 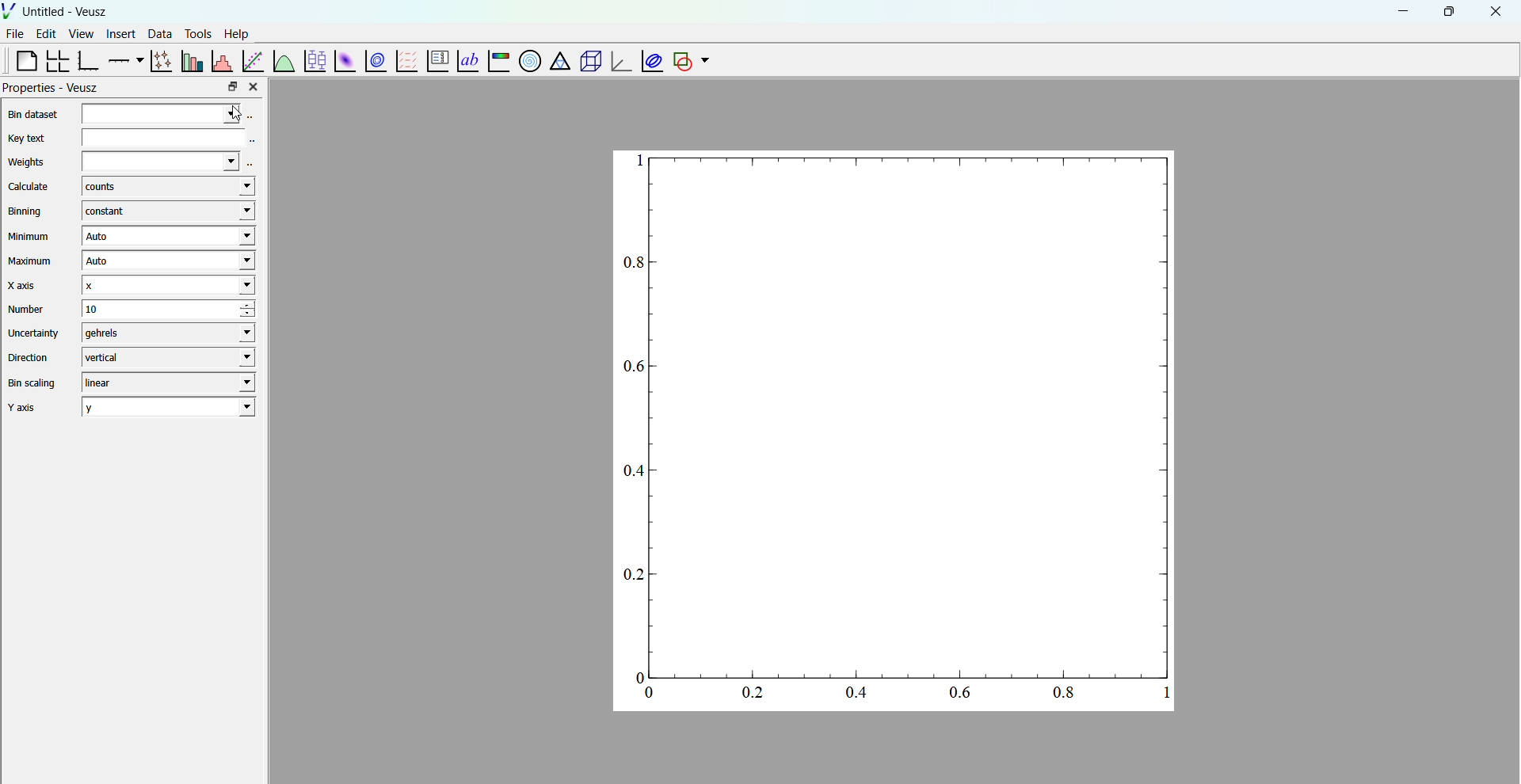 What do you see at coordinates (168, 211) in the screenshot?
I see `constant ` at bounding box center [168, 211].